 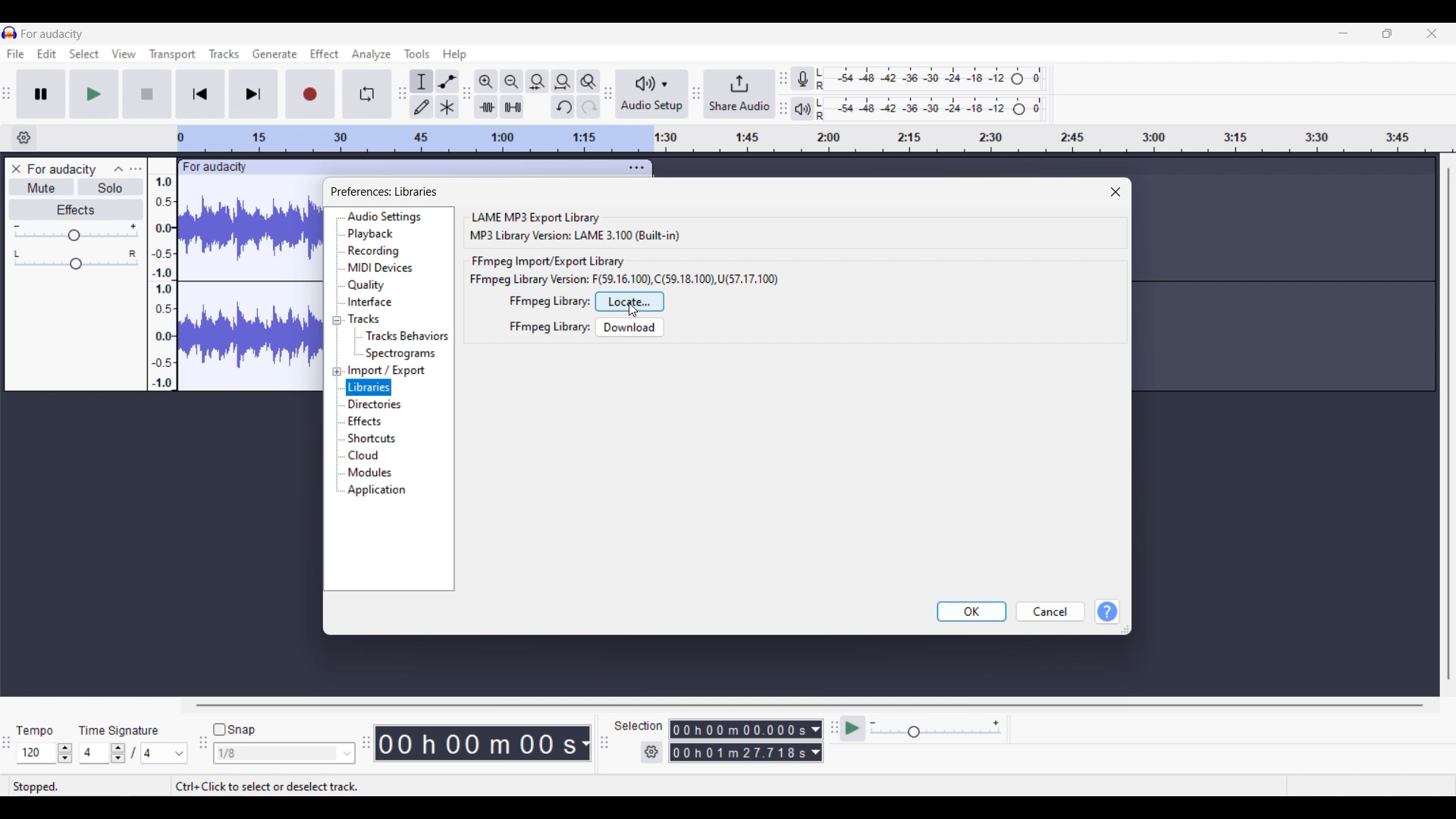 What do you see at coordinates (372, 55) in the screenshot?
I see `Analyze menu` at bounding box center [372, 55].